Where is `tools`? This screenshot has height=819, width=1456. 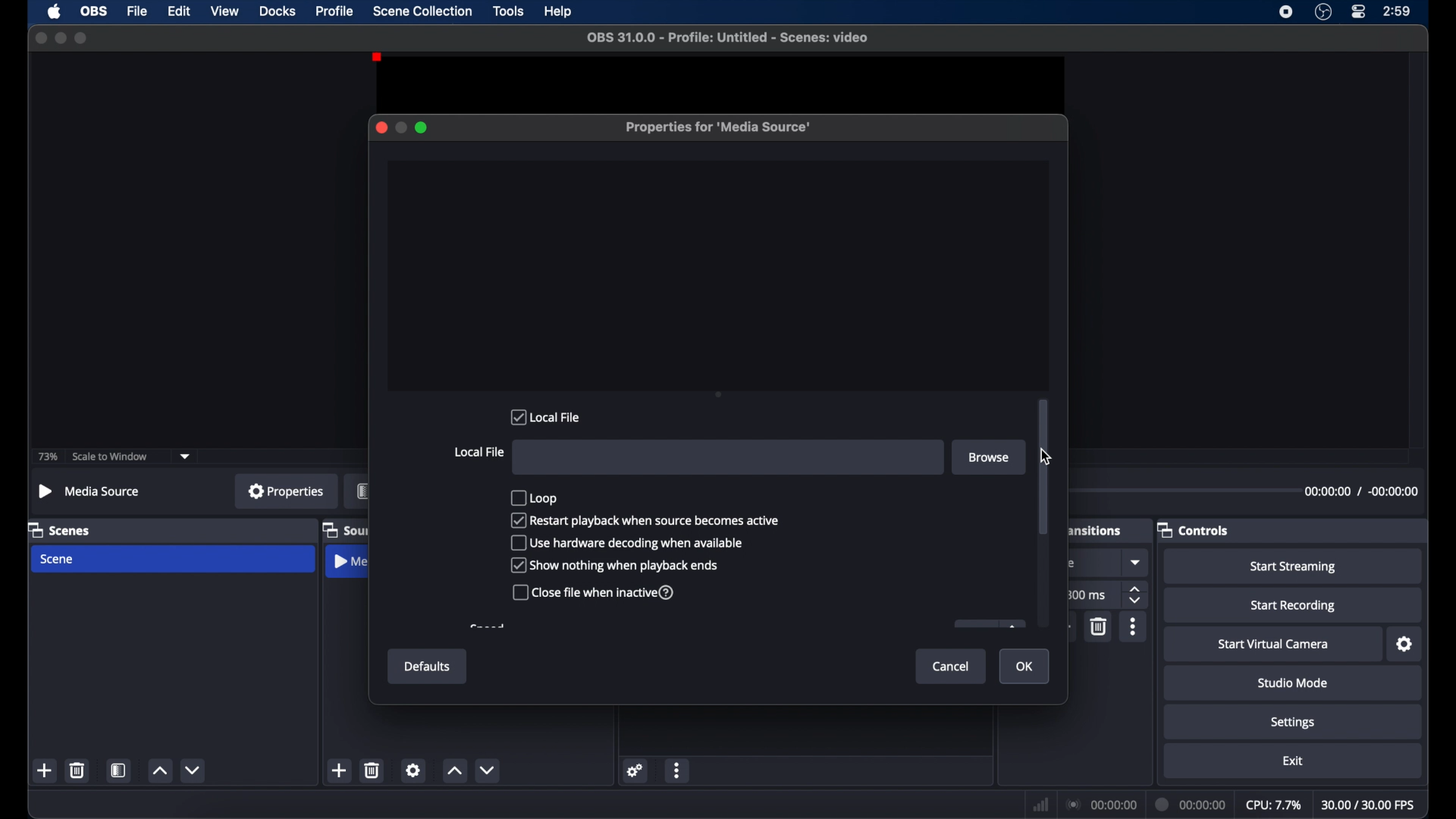 tools is located at coordinates (509, 11).